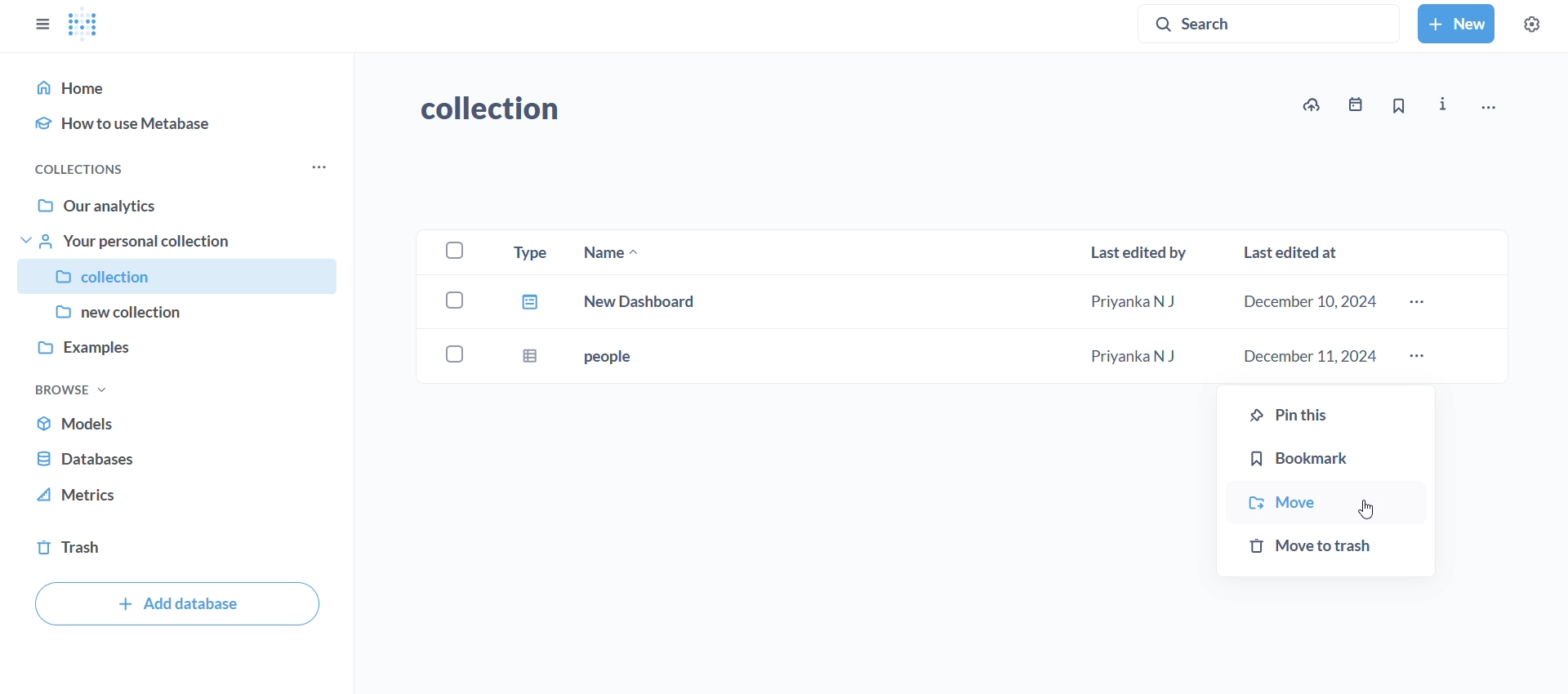 This screenshot has height=694, width=1568. What do you see at coordinates (181, 125) in the screenshot?
I see `how to use metabase ` at bounding box center [181, 125].